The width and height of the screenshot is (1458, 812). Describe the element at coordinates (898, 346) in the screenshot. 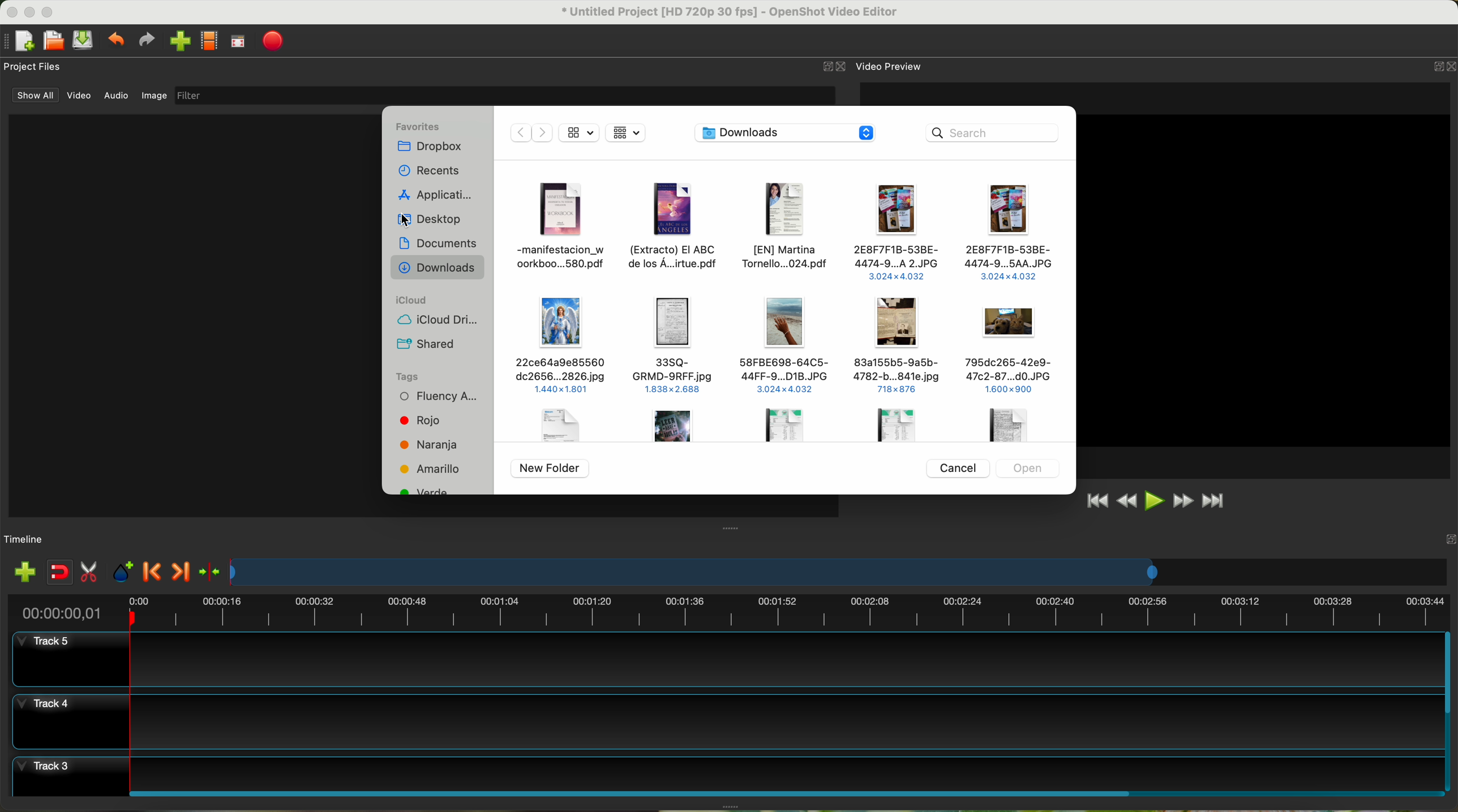

I see `file` at that location.